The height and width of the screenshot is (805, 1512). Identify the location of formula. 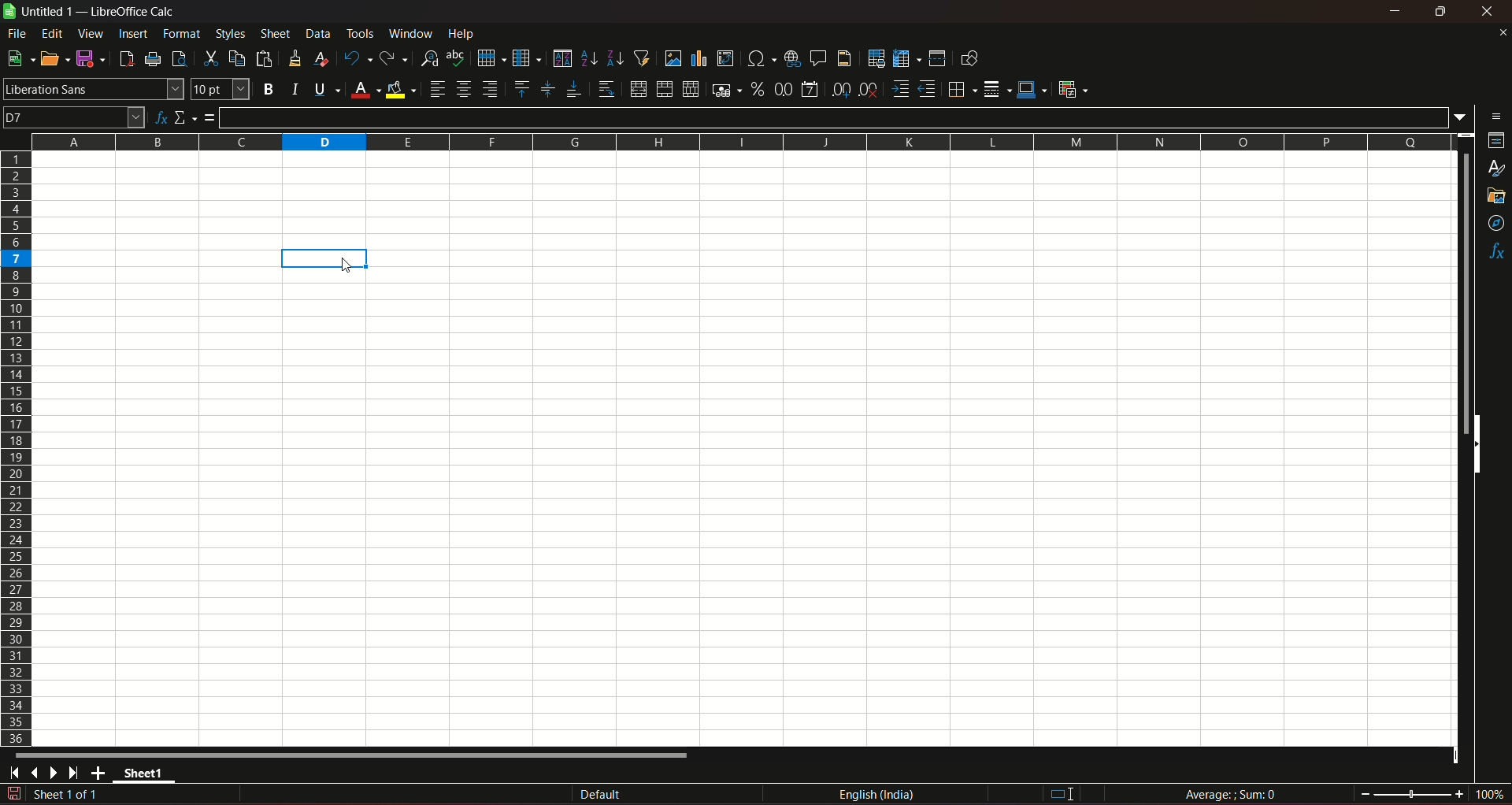
(210, 117).